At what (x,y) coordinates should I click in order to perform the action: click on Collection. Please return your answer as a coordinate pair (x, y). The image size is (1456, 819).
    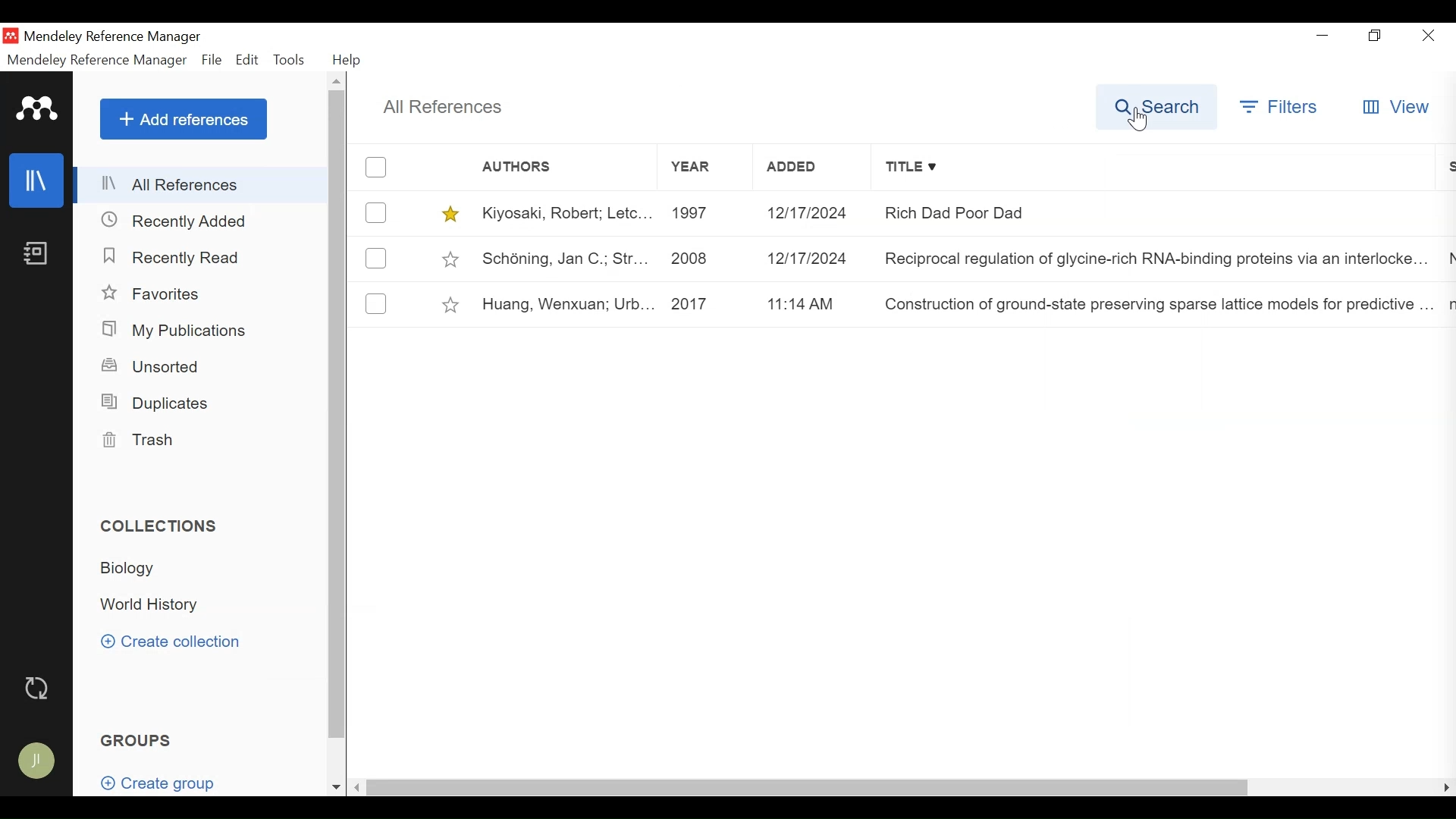
    Looking at the image, I should click on (138, 571).